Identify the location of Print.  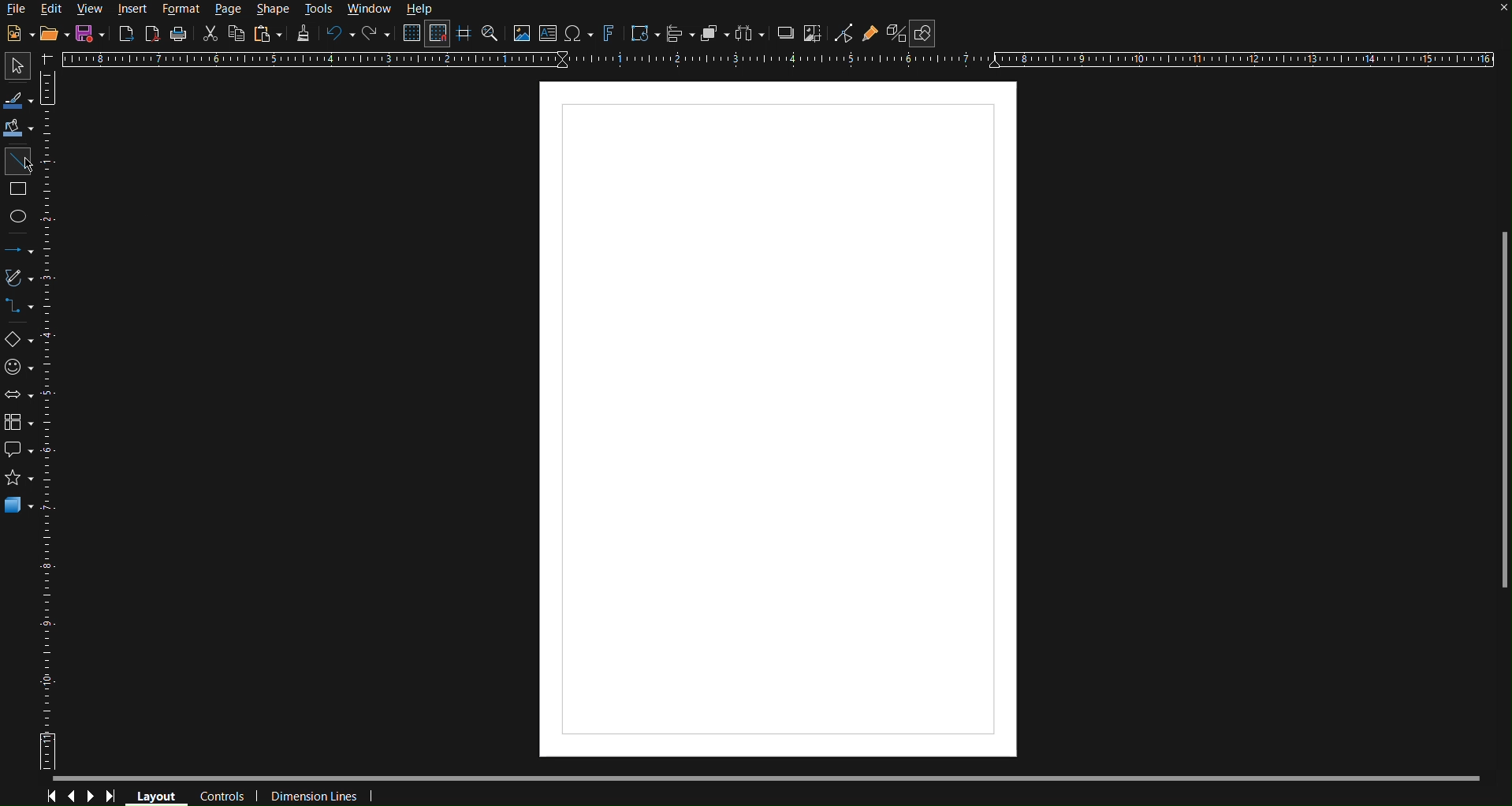
(179, 34).